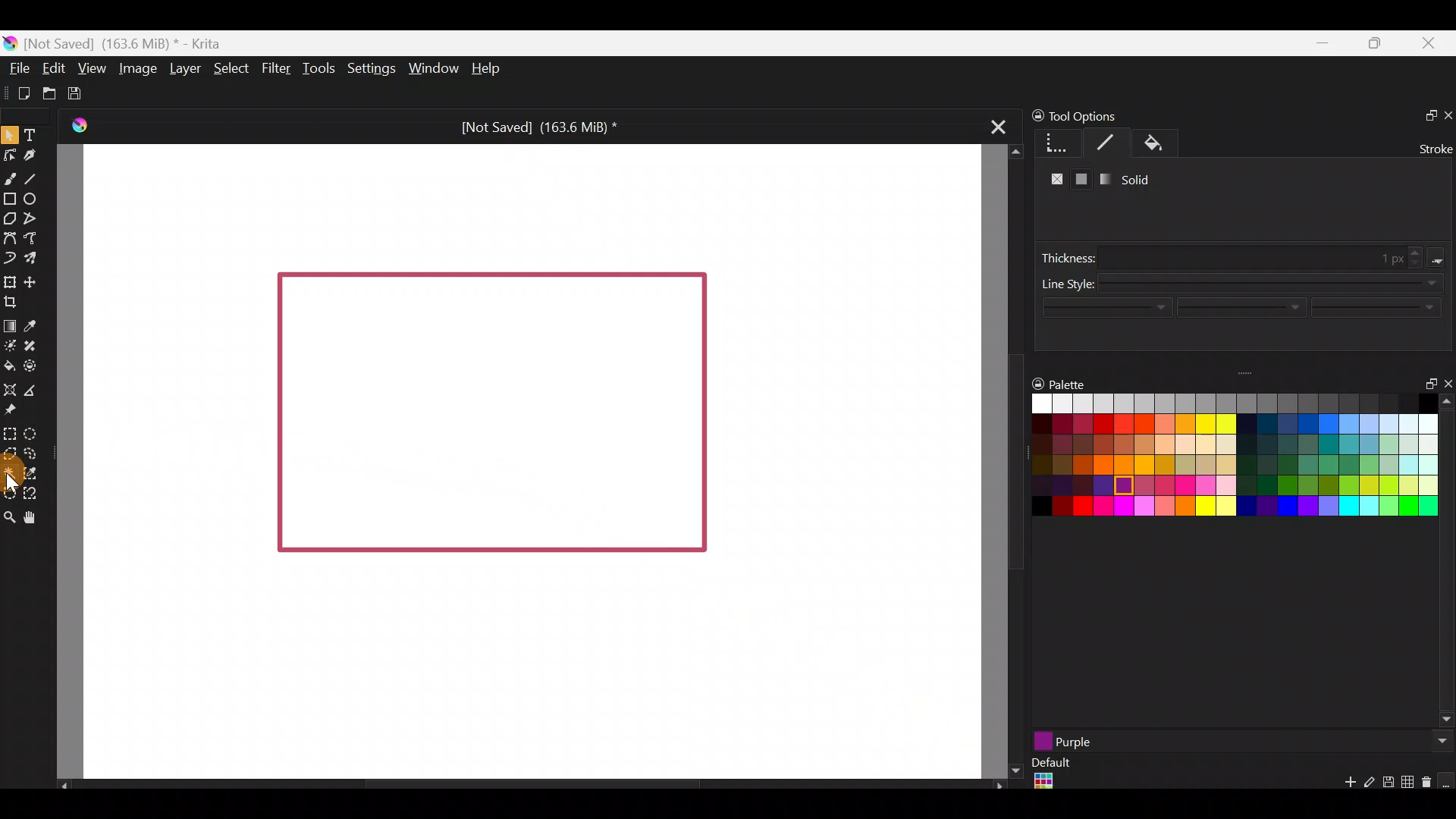 The height and width of the screenshot is (819, 1456). What do you see at coordinates (1052, 179) in the screenshot?
I see `No fill` at bounding box center [1052, 179].